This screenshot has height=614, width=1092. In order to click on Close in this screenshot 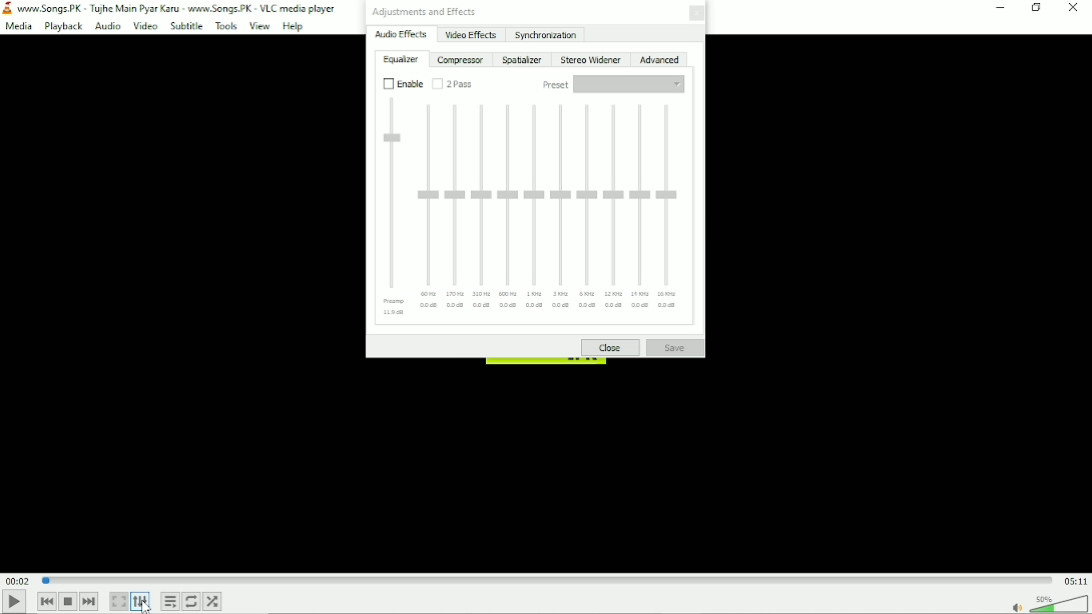, I will do `click(694, 12)`.